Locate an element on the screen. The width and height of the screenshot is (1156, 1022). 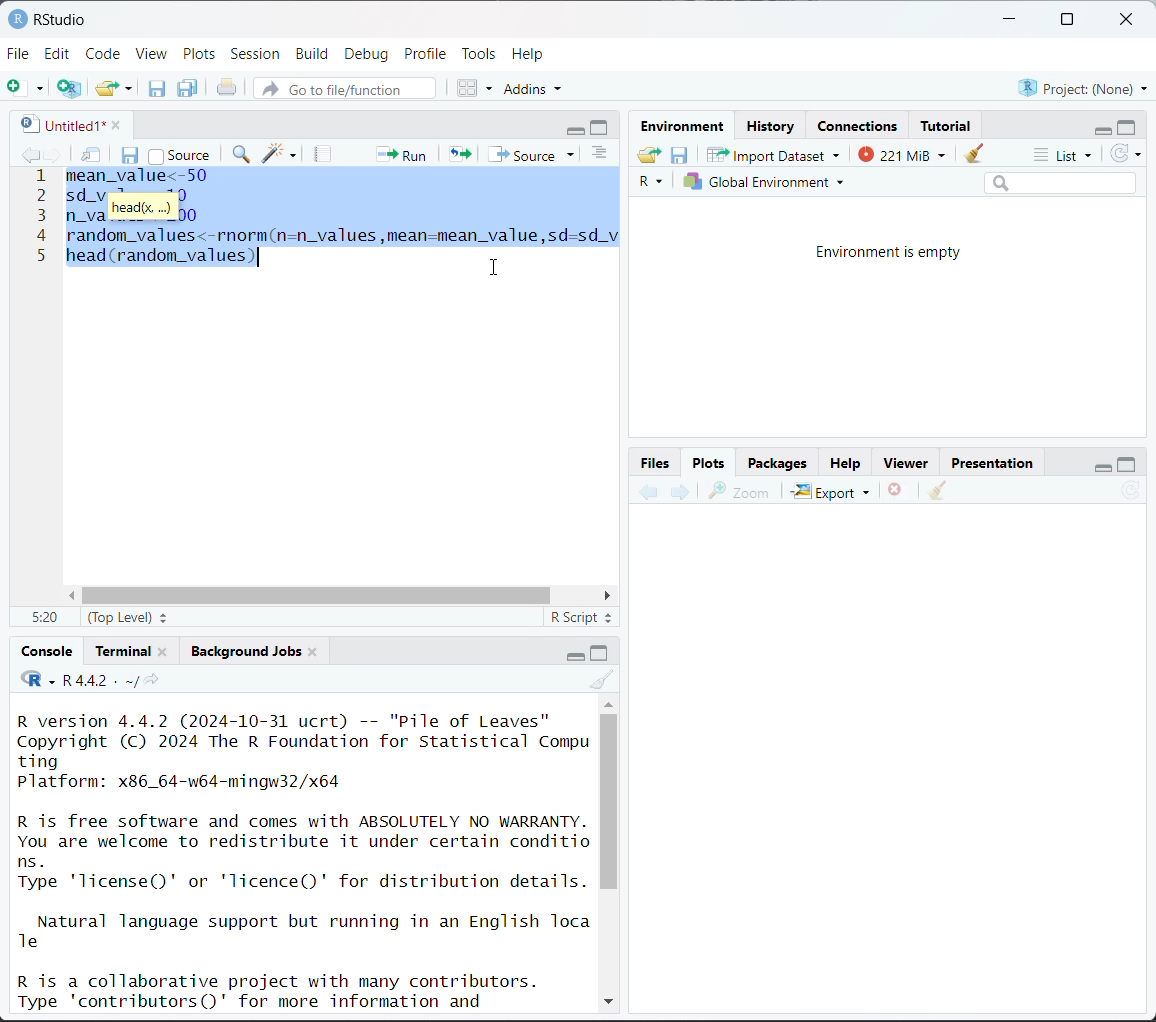
save current document is located at coordinates (157, 88).